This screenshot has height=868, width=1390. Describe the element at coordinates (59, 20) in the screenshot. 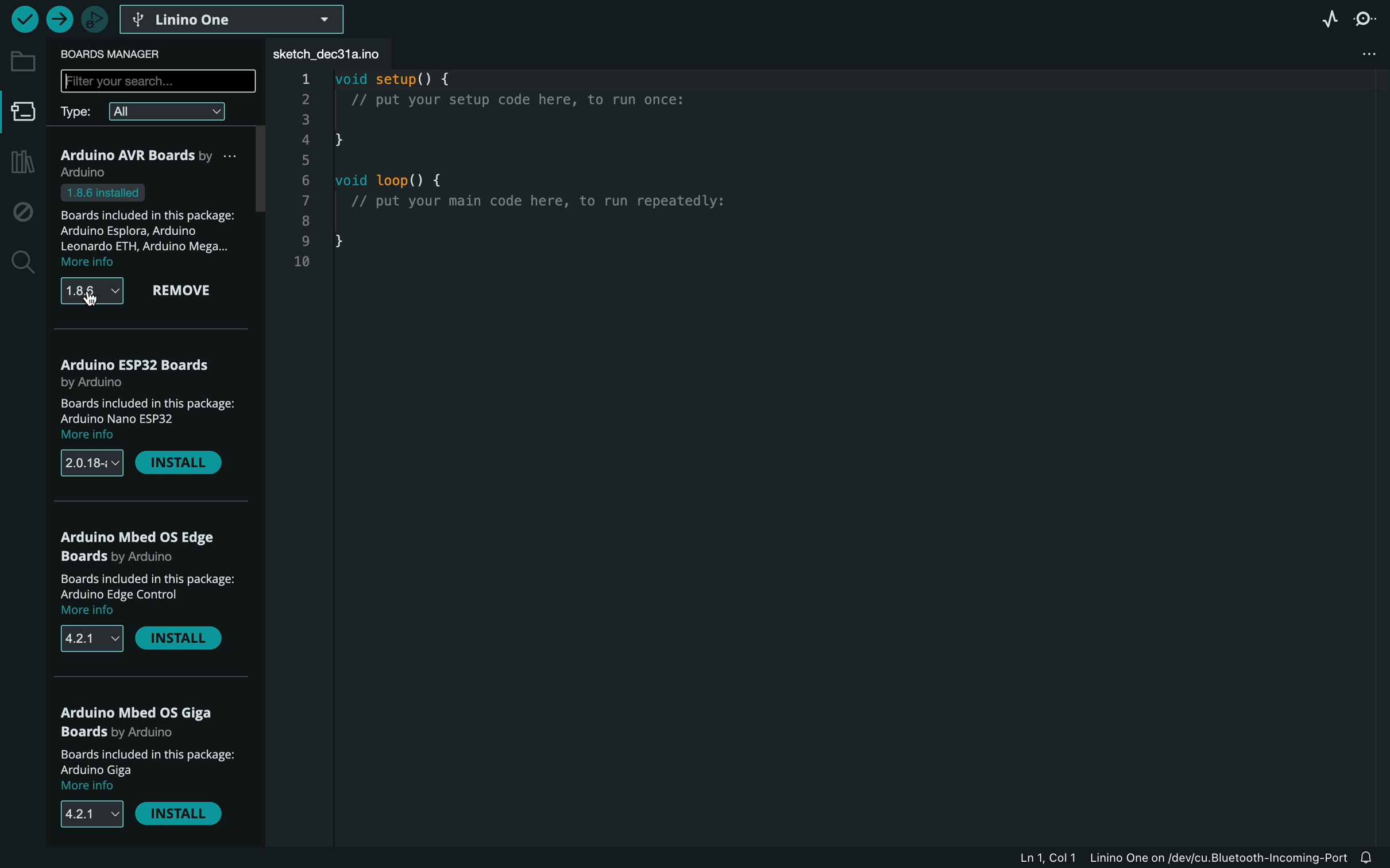

I see `upload` at that location.